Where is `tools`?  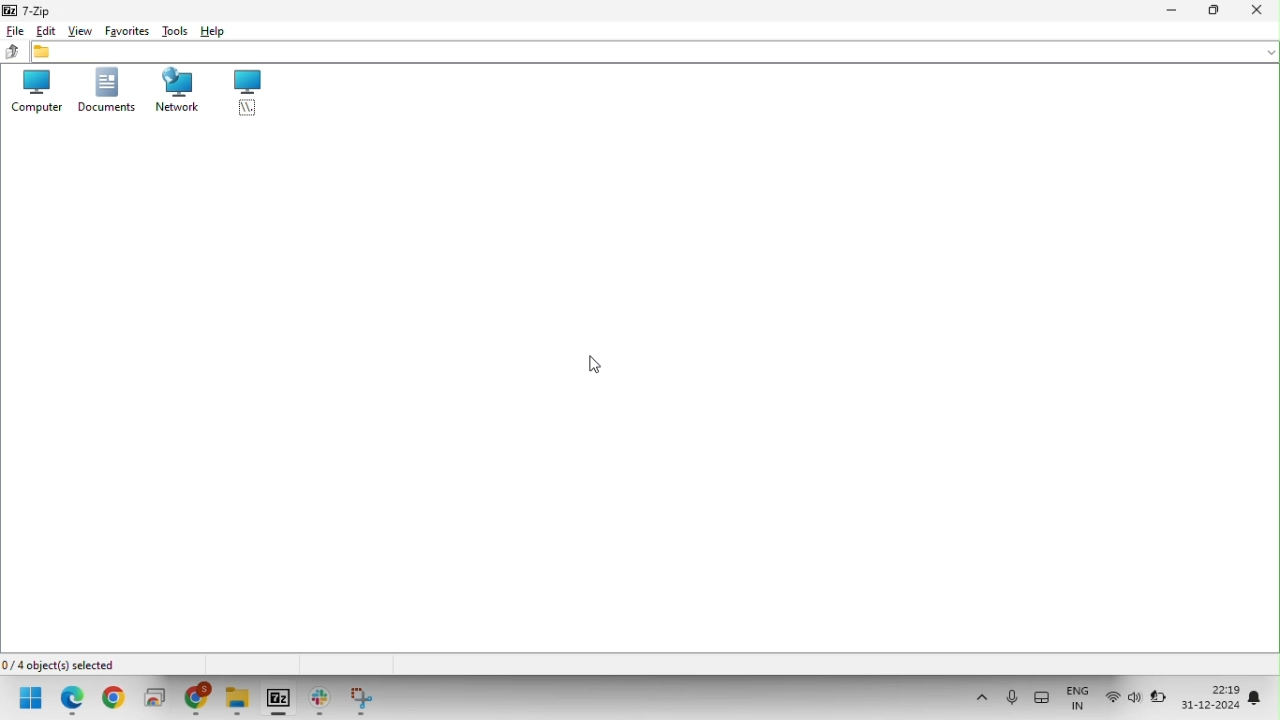 tools is located at coordinates (170, 29).